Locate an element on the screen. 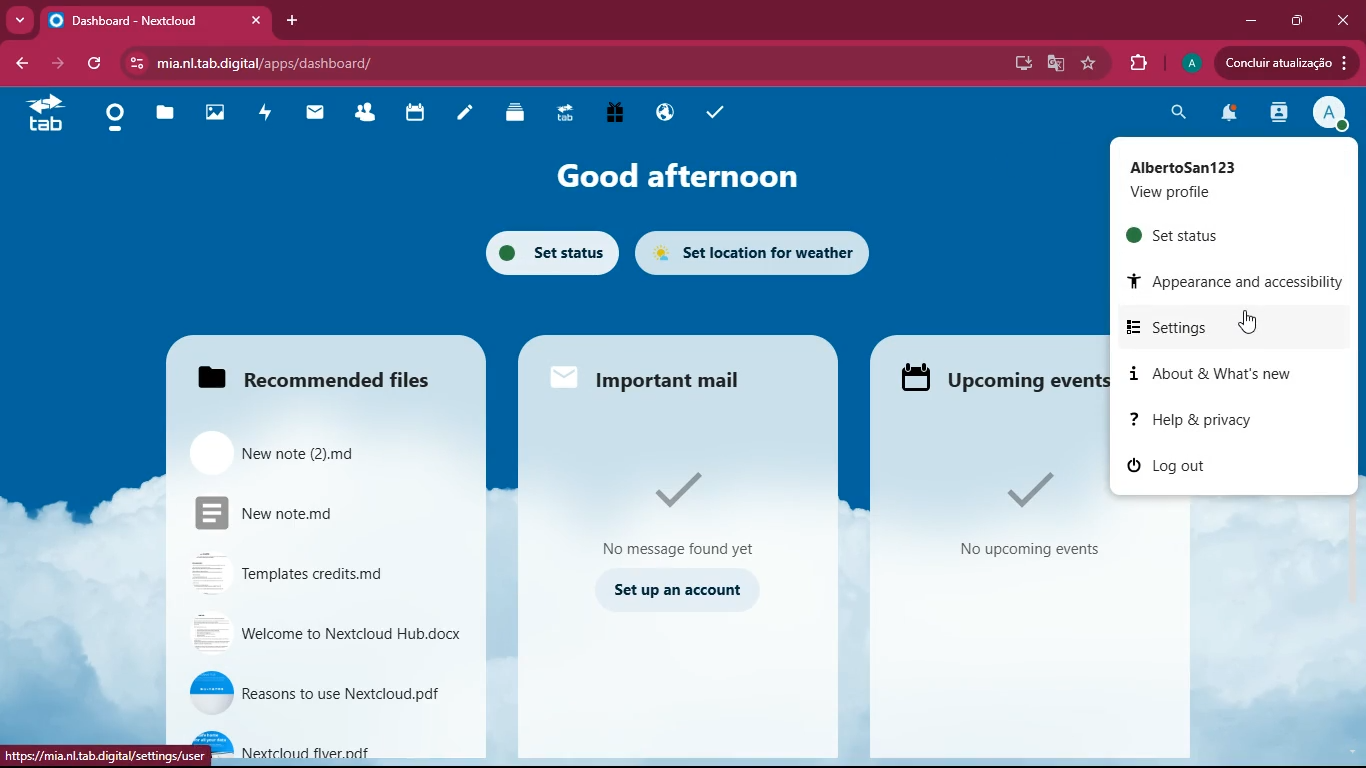  events is located at coordinates (1023, 515).